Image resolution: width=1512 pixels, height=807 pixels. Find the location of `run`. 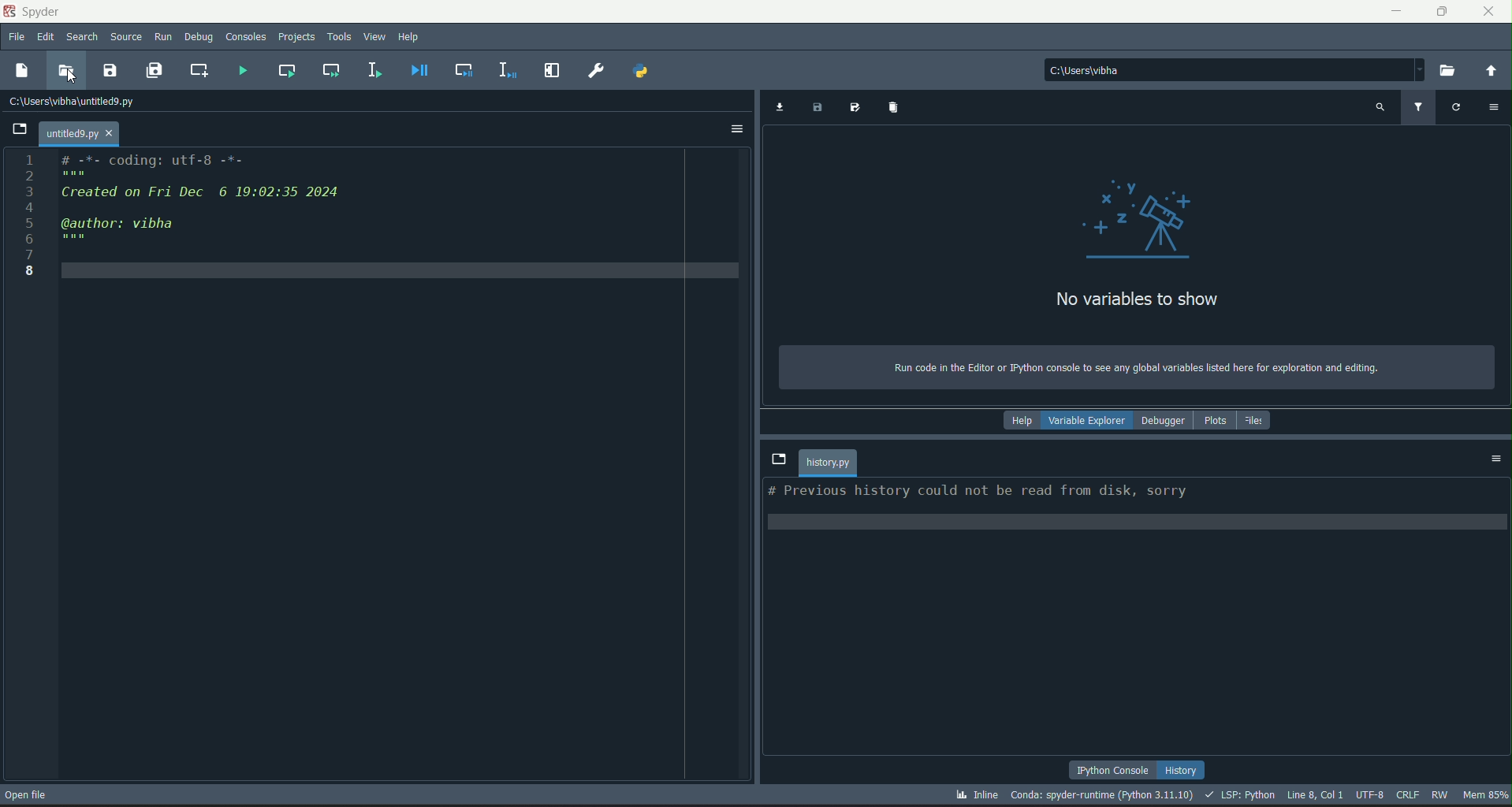

run is located at coordinates (164, 38).